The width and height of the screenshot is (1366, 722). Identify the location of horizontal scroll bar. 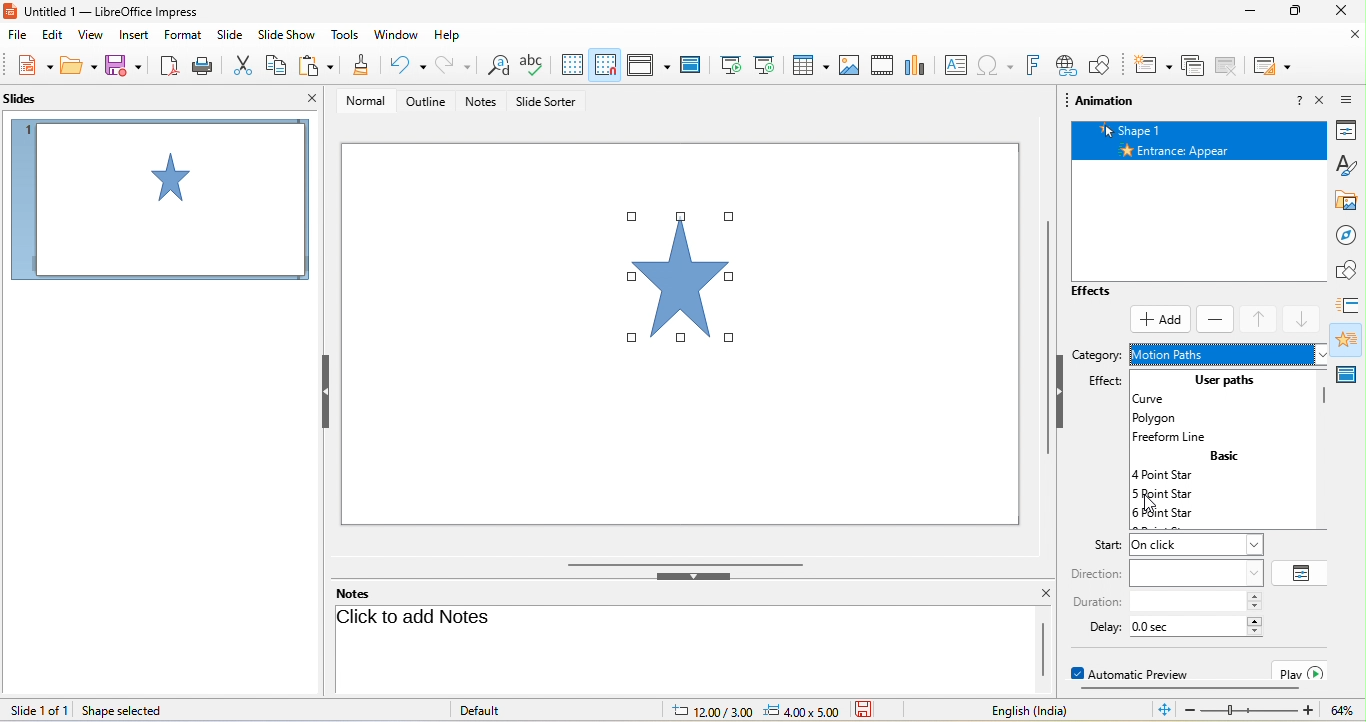
(1186, 690).